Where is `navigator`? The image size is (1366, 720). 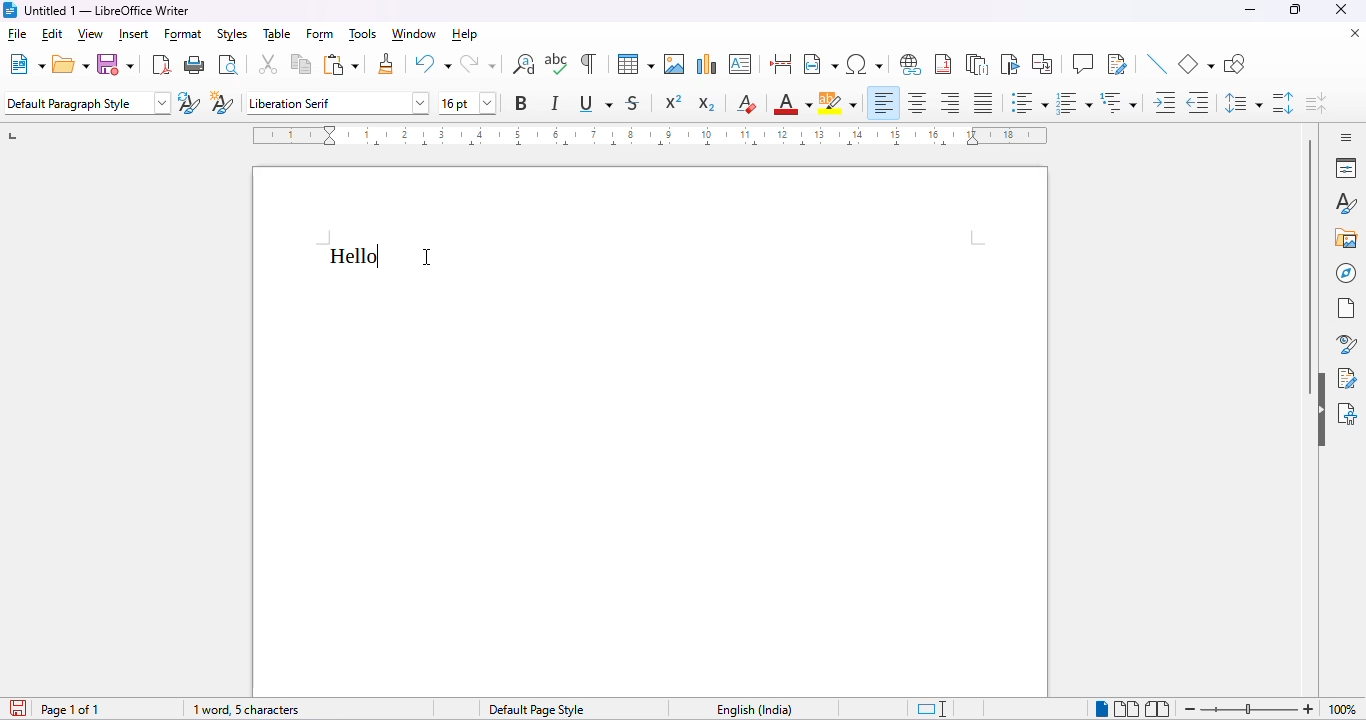
navigator is located at coordinates (1346, 273).